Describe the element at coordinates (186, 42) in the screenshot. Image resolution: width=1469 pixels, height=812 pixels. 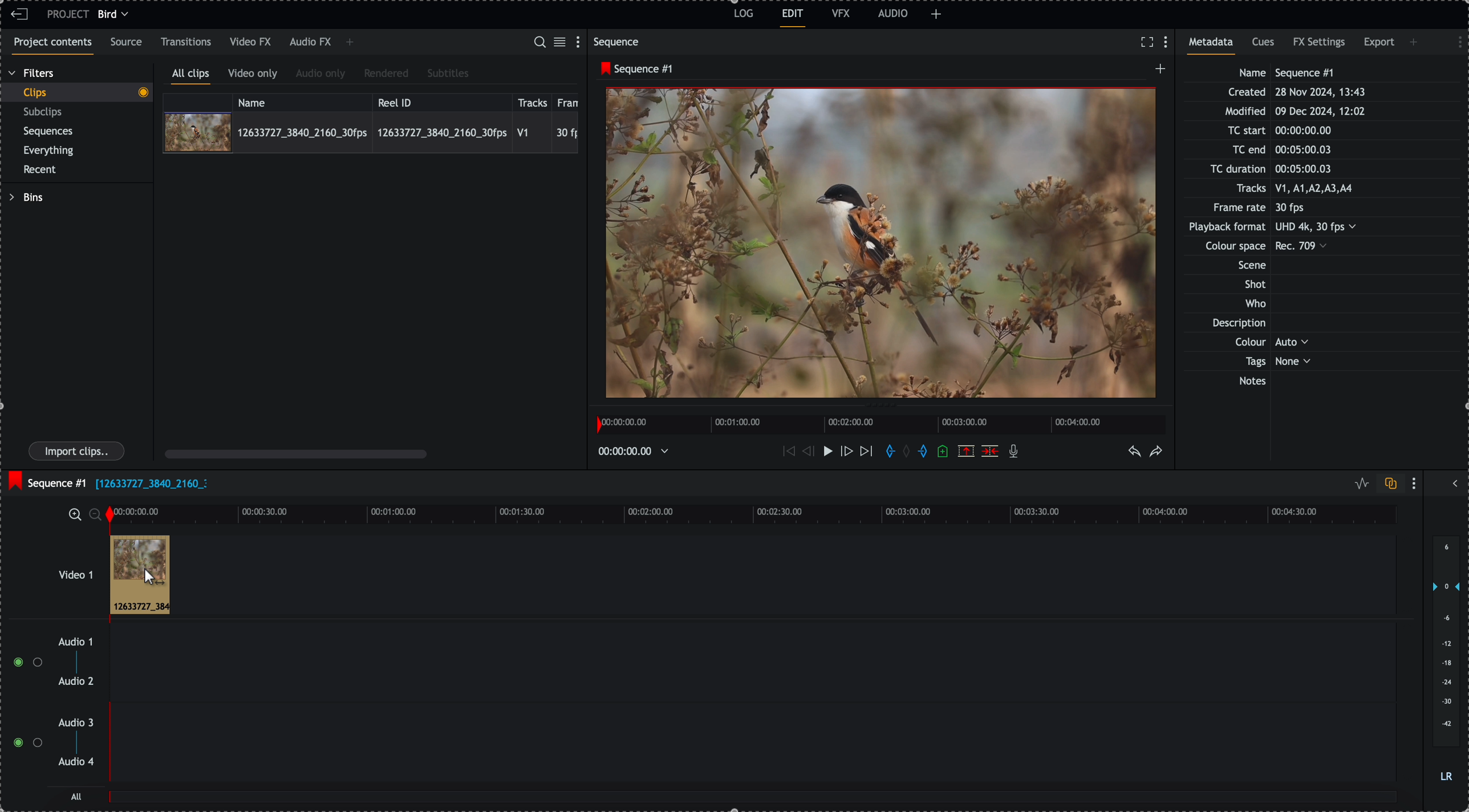
I see `transitions` at that location.